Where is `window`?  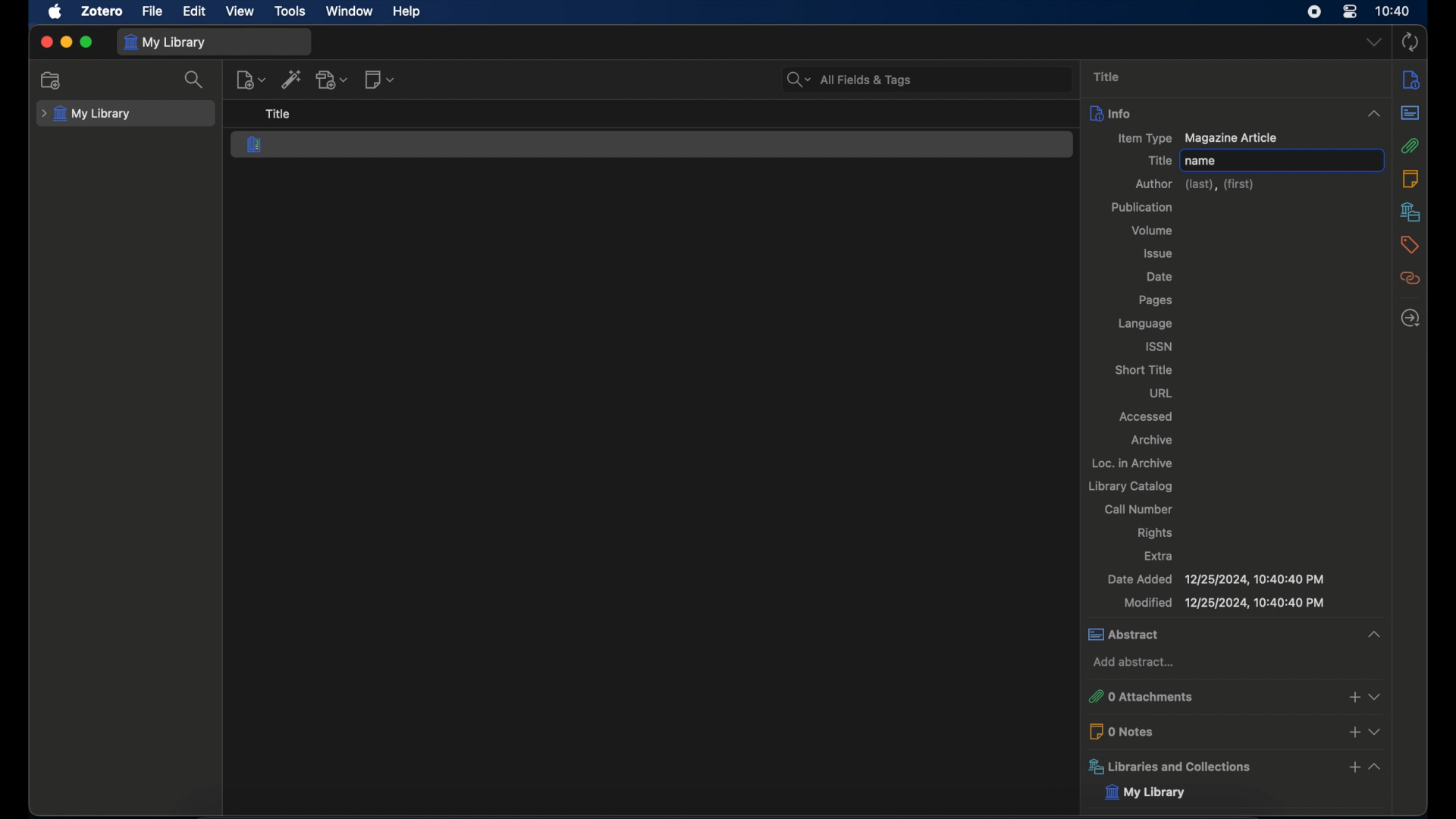 window is located at coordinates (350, 11).